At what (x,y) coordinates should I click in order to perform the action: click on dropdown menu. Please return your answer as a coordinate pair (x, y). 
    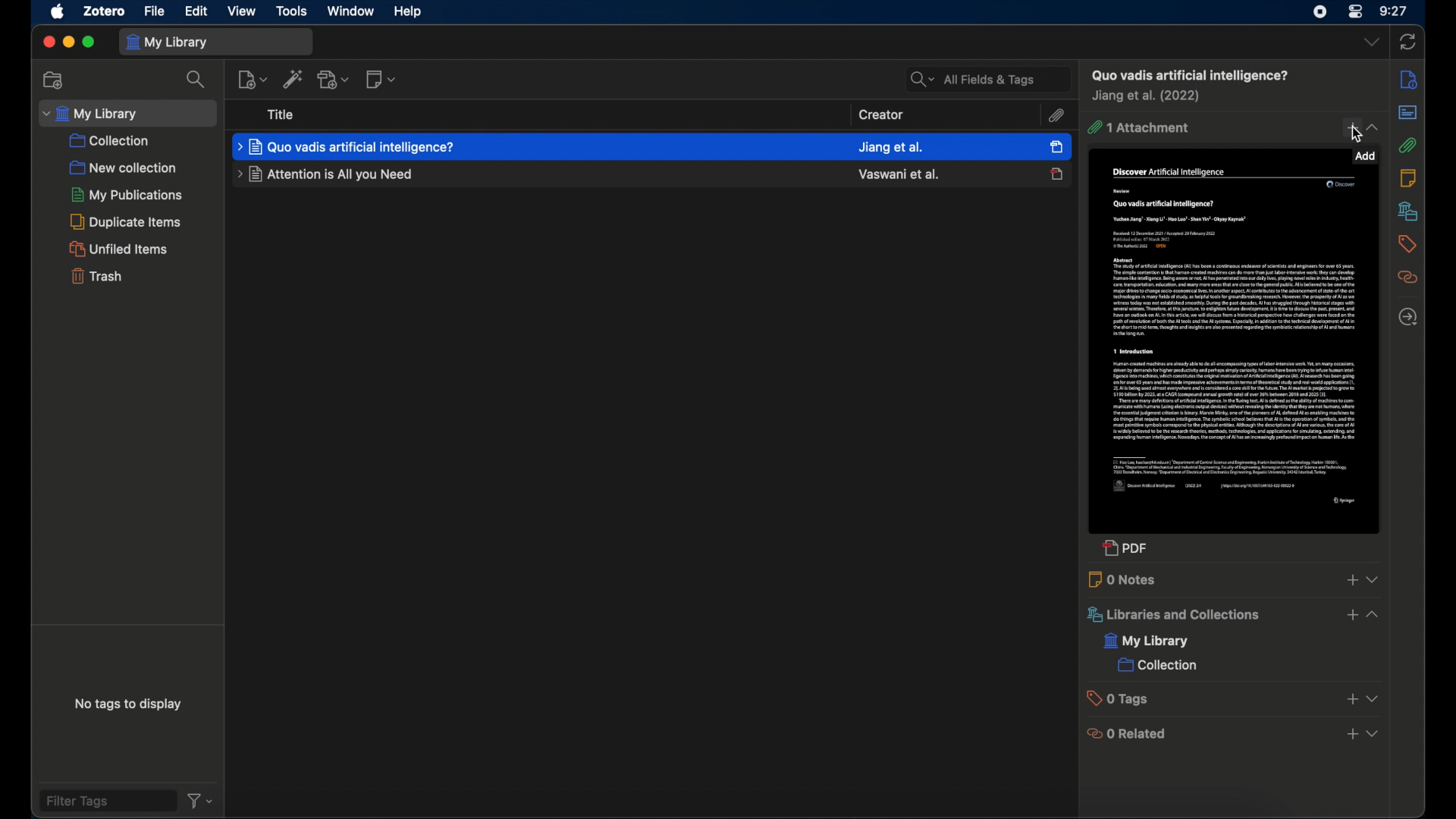
    Looking at the image, I should click on (1373, 699).